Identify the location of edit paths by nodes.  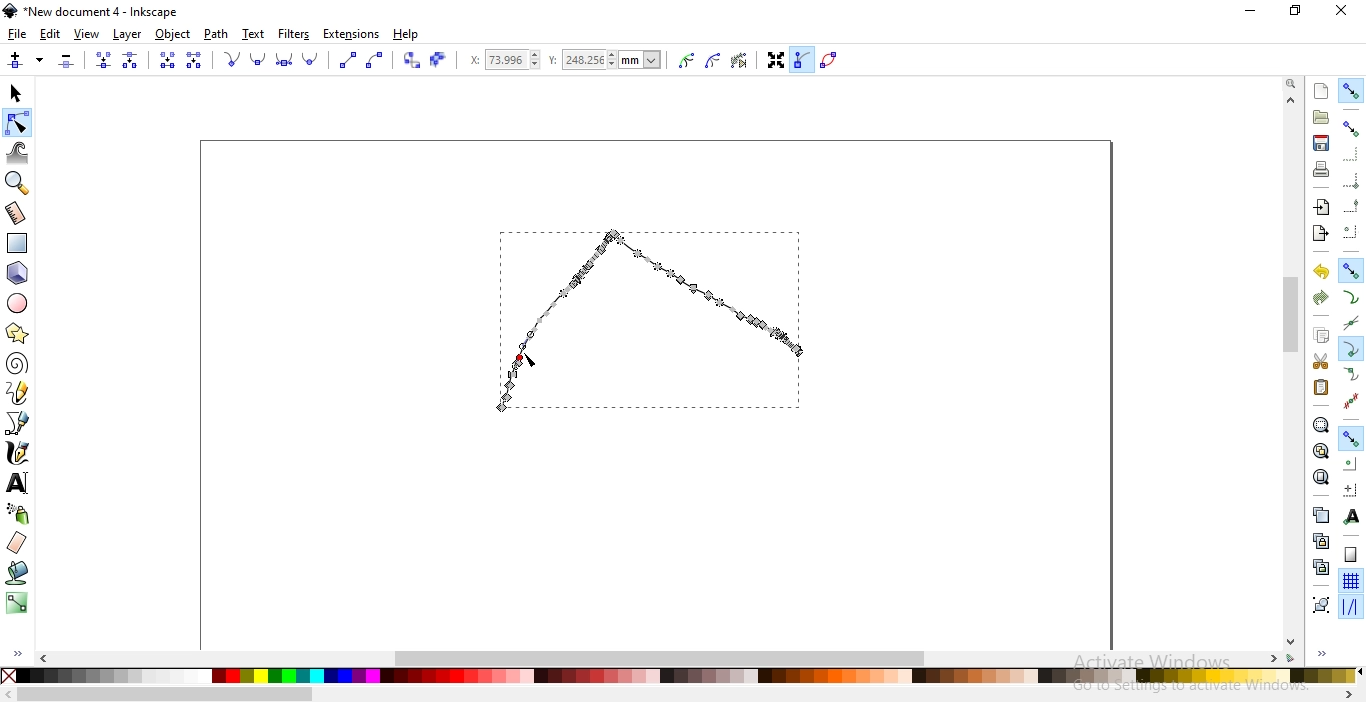
(16, 124).